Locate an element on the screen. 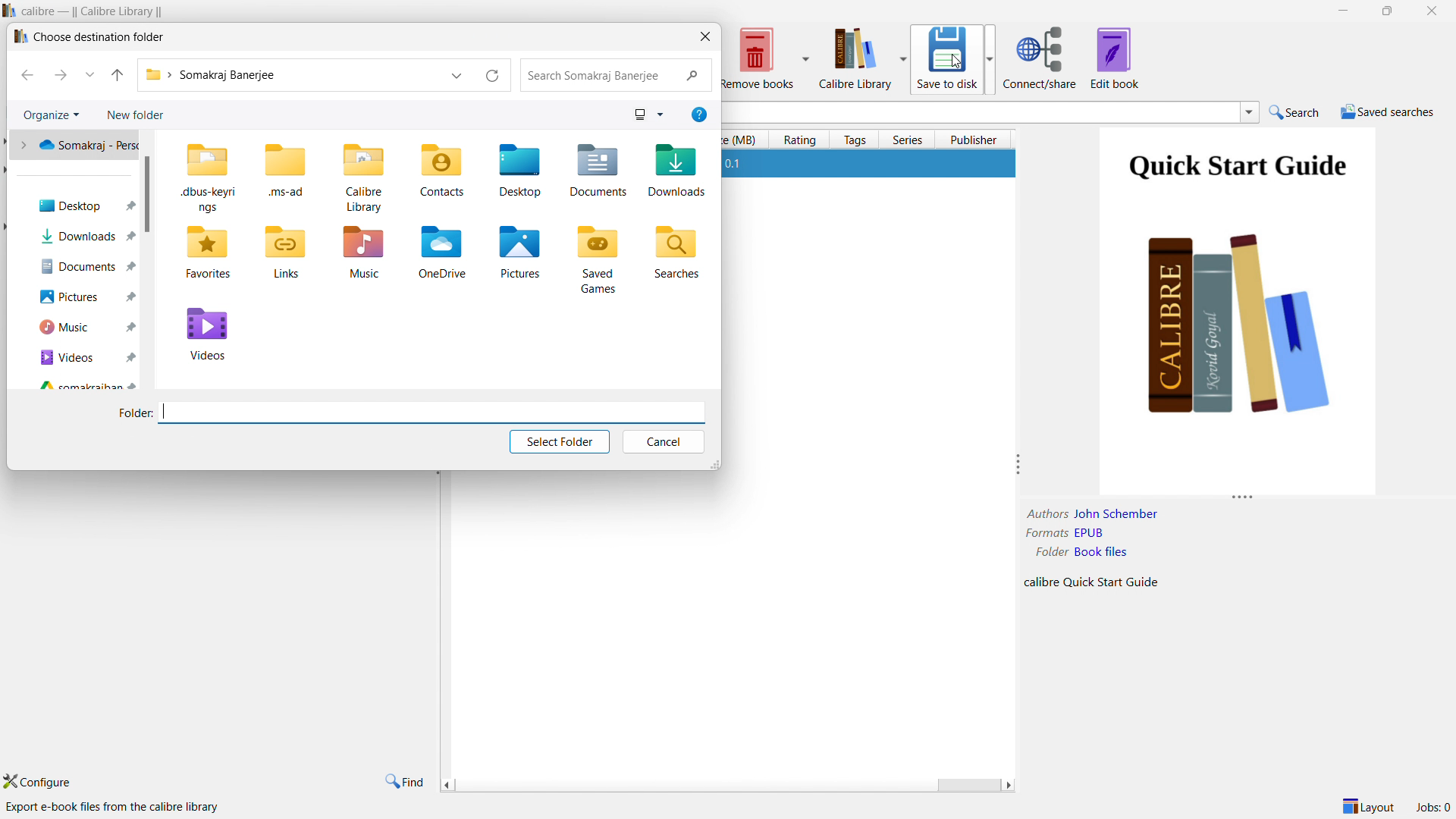 Image resolution: width=1456 pixels, height=819 pixels. John Schember is located at coordinates (1121, 514).